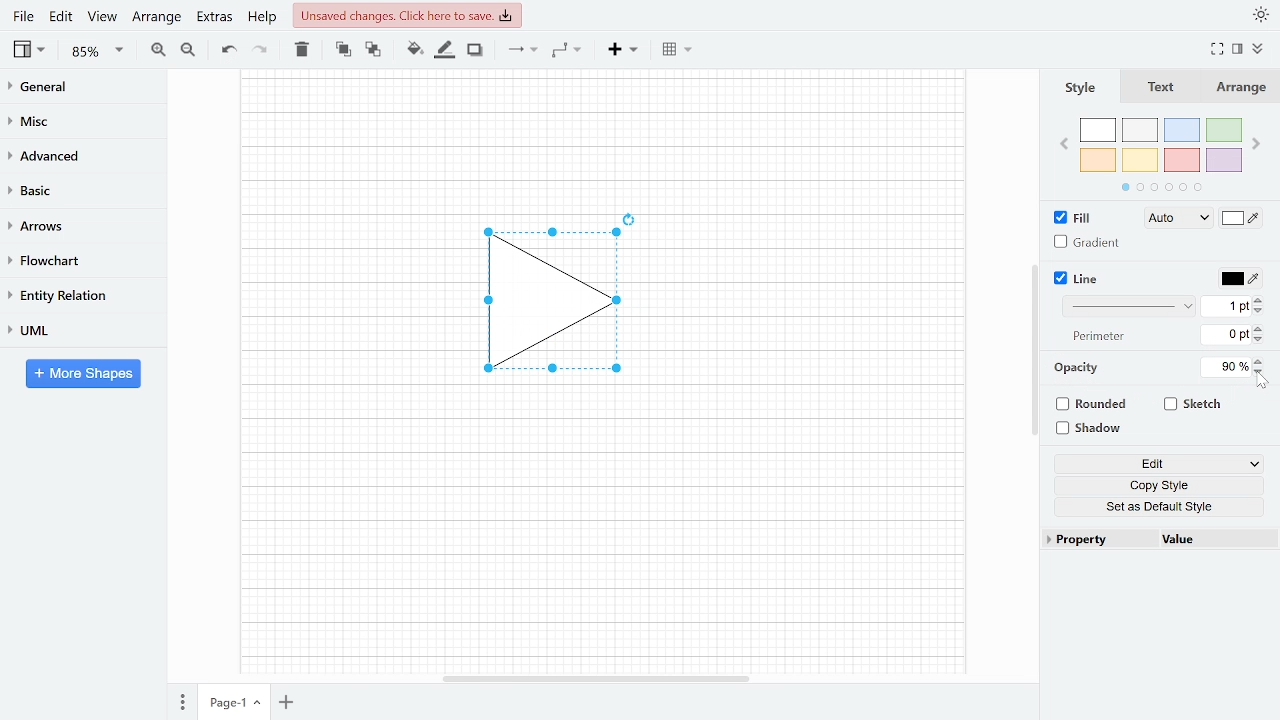  Describe the element at coordinates (223, 703) in the screenshot. I see `Current page` at that location.